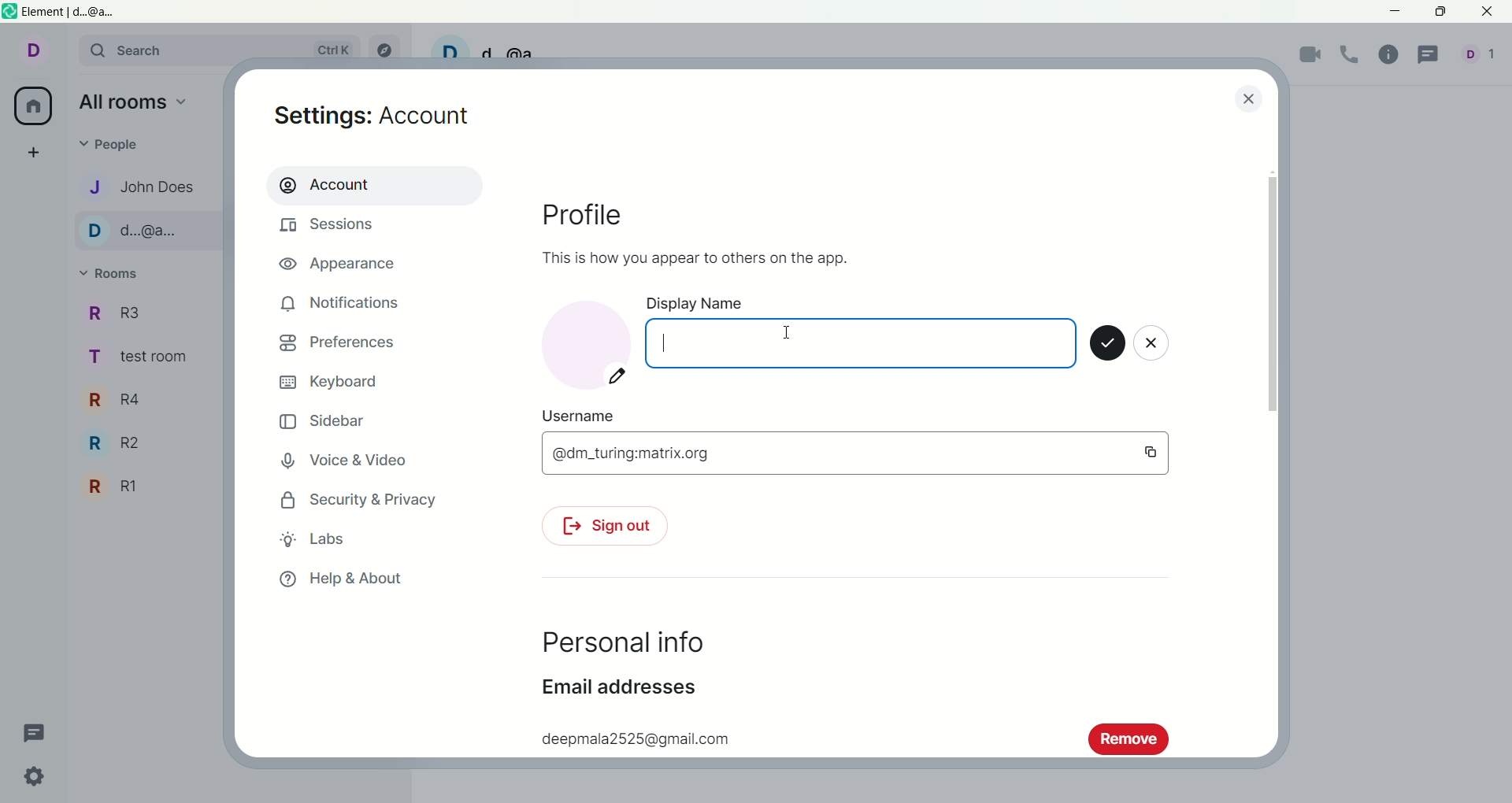 The height and width of the screenshot is (803, 1512). What do you see at coordinates (121, 400) in the screenshot?
I see `R4` at bounding box center [121, 400].